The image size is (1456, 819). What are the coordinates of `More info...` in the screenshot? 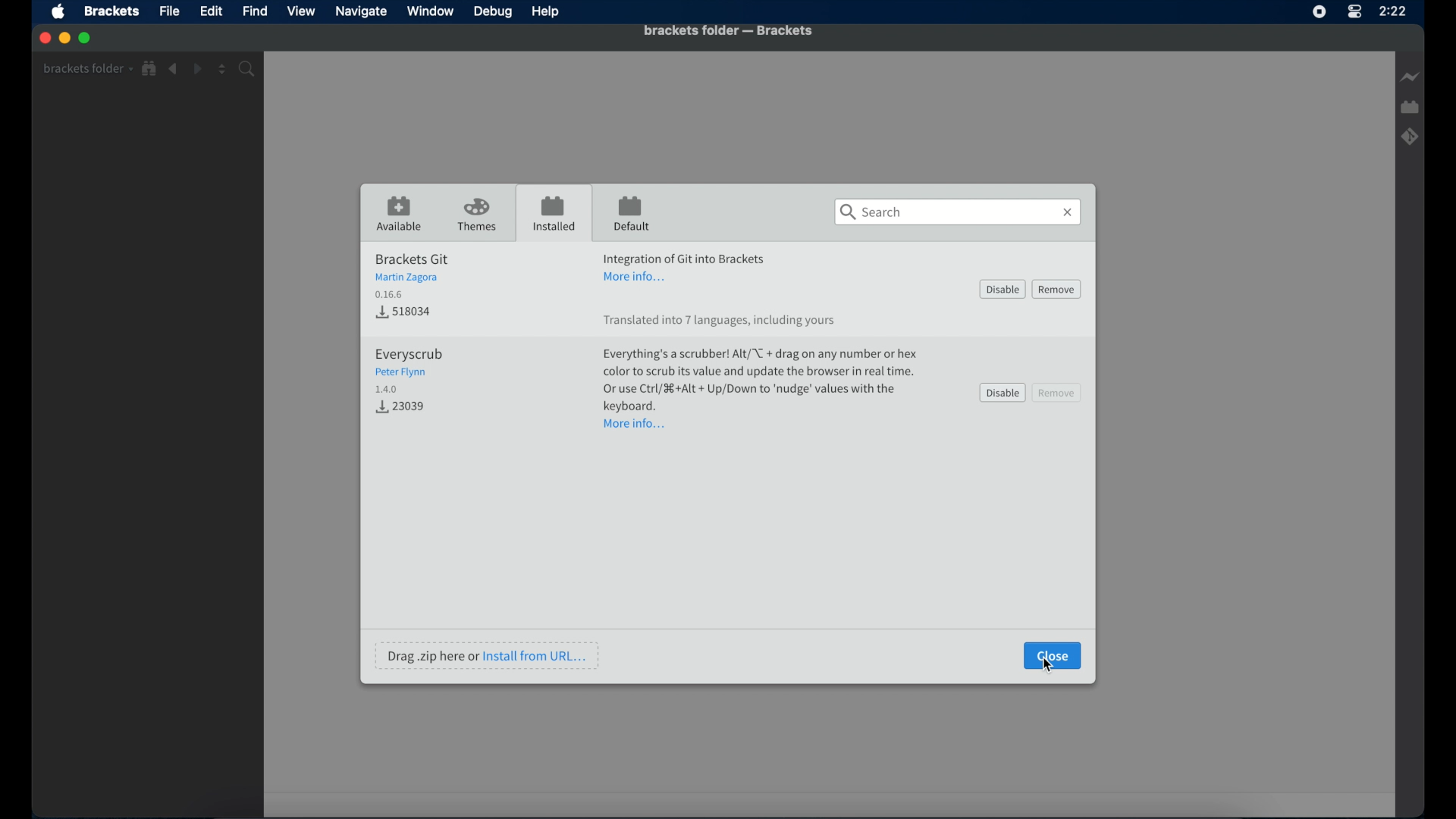 It's located at (639, 278).